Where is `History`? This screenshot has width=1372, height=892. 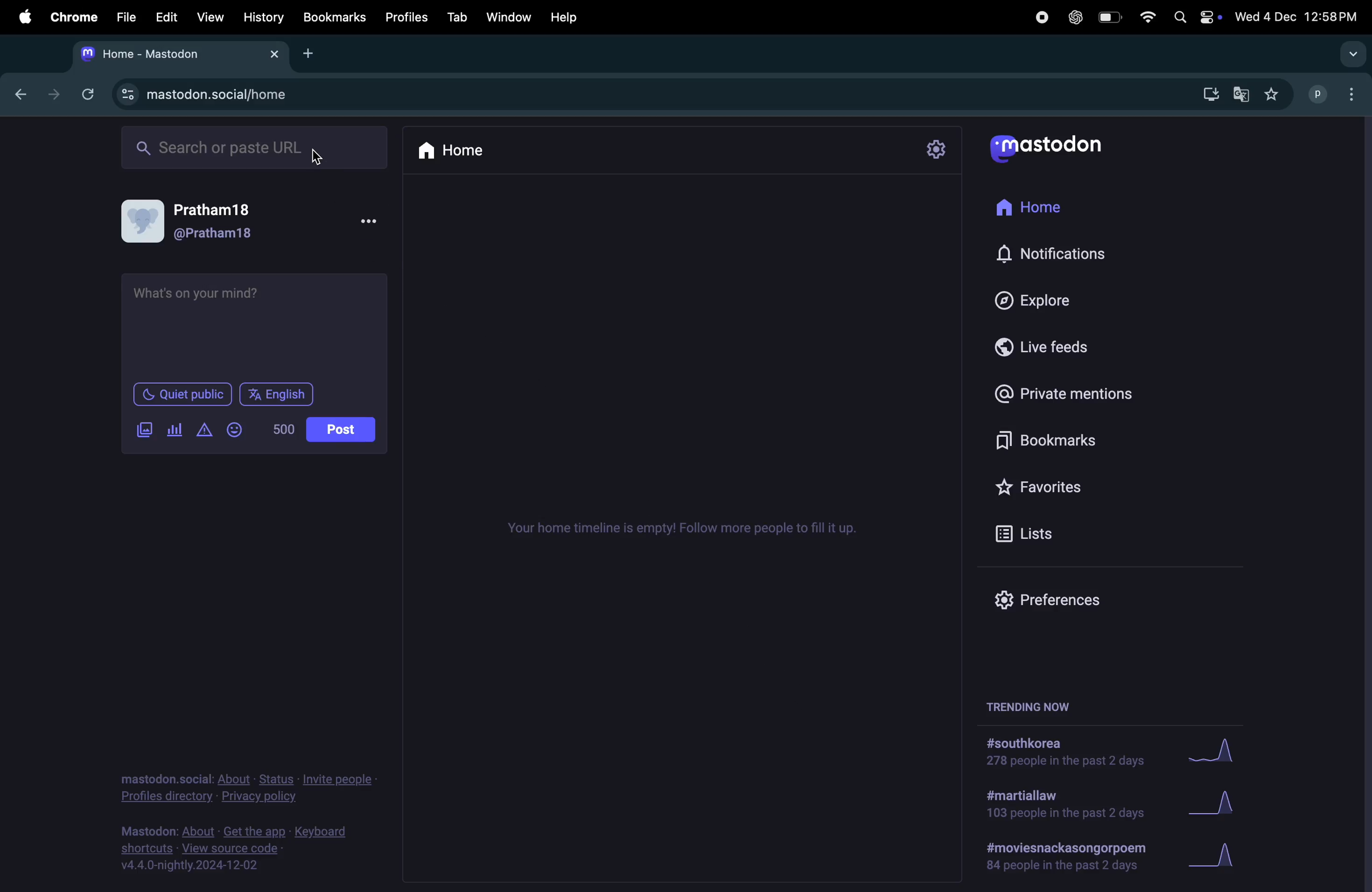 History is located at coordinates (263, 17).